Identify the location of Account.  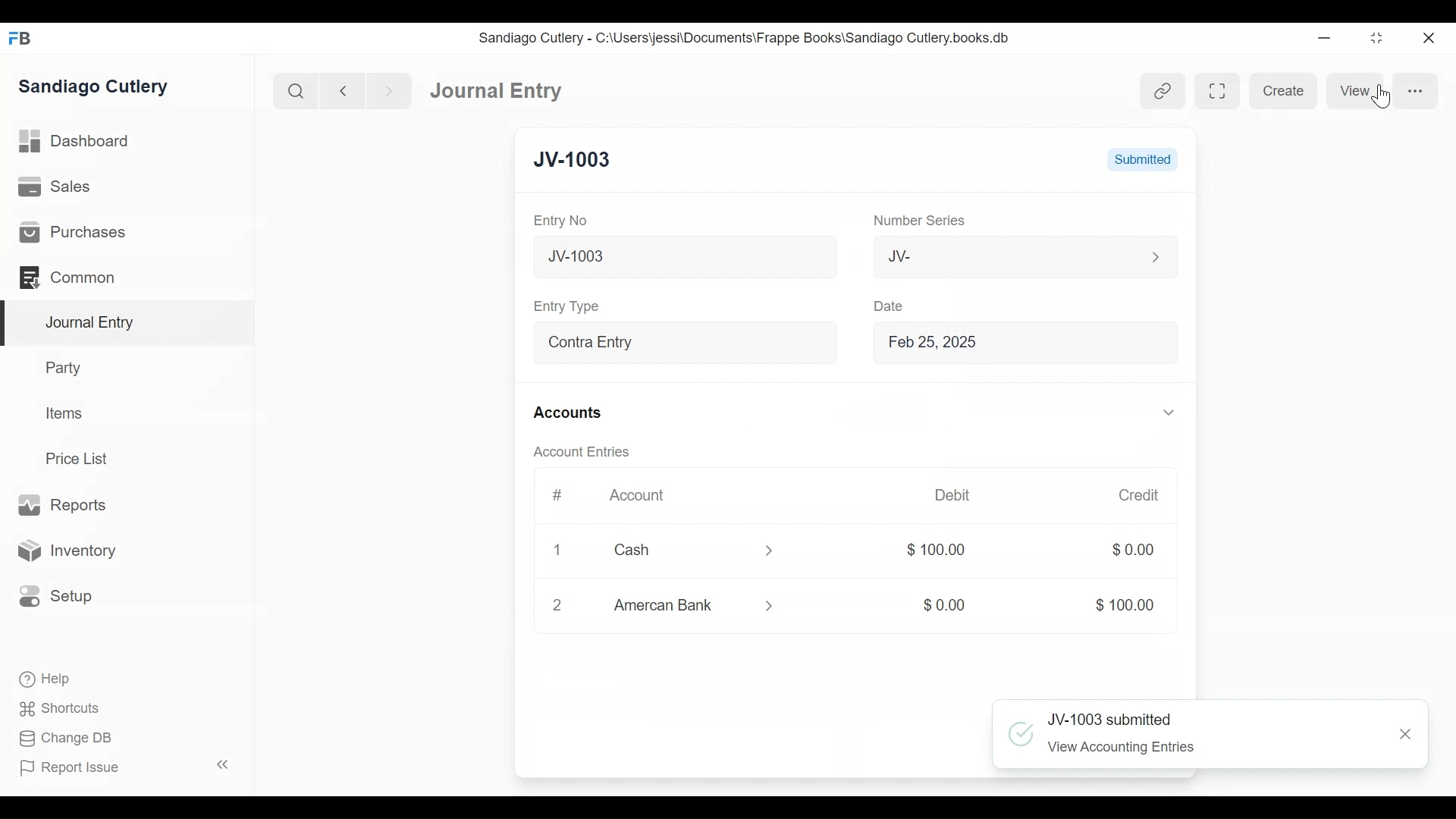
(638, 497).